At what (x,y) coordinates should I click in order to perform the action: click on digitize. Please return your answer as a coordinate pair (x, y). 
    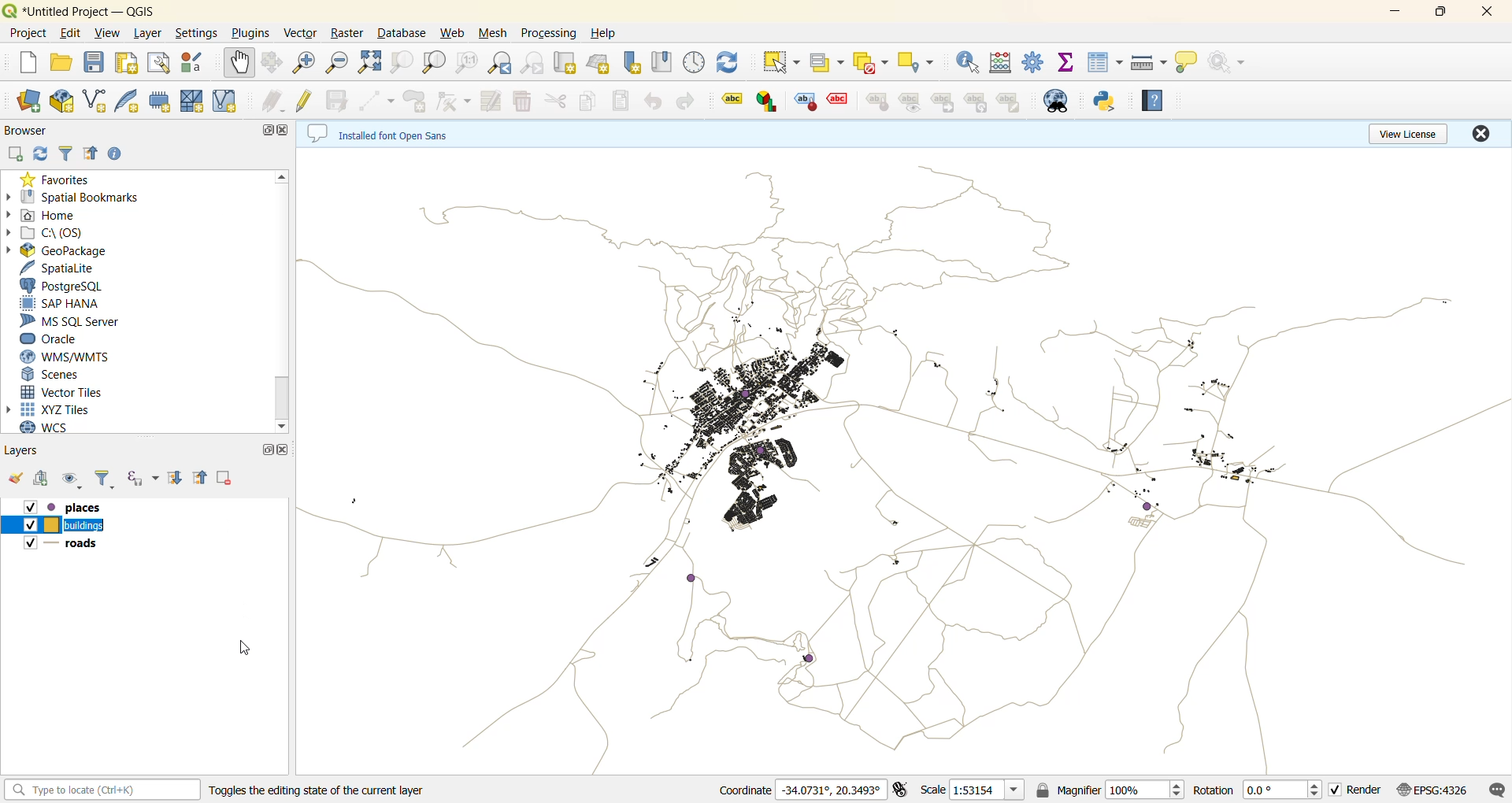
    Looking at the image, I should click on (381, 100).